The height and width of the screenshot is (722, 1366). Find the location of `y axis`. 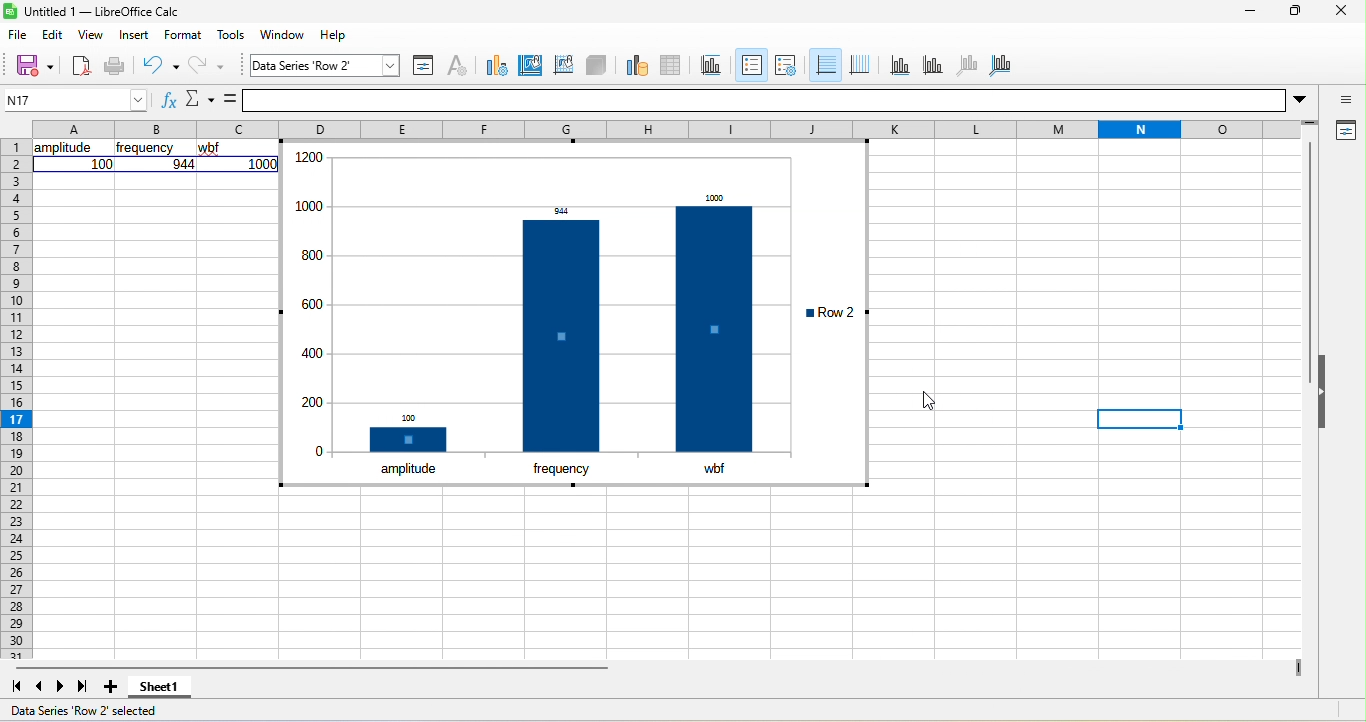

y axis is located at coordinates (940, 67).